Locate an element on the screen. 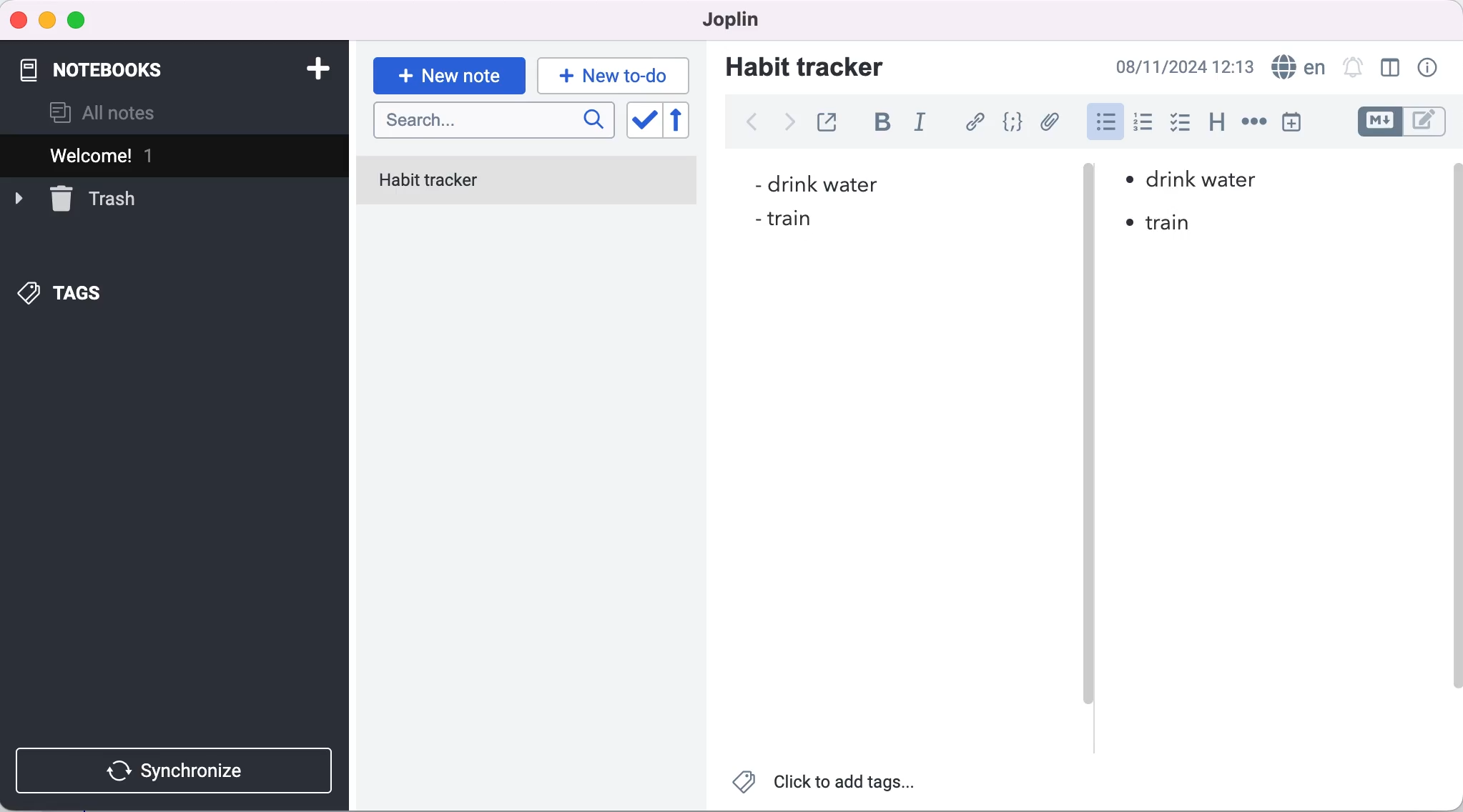 Image resolution: width=1463 pixels, height=812 pixels. • train is located at coordinates (1162, 220).